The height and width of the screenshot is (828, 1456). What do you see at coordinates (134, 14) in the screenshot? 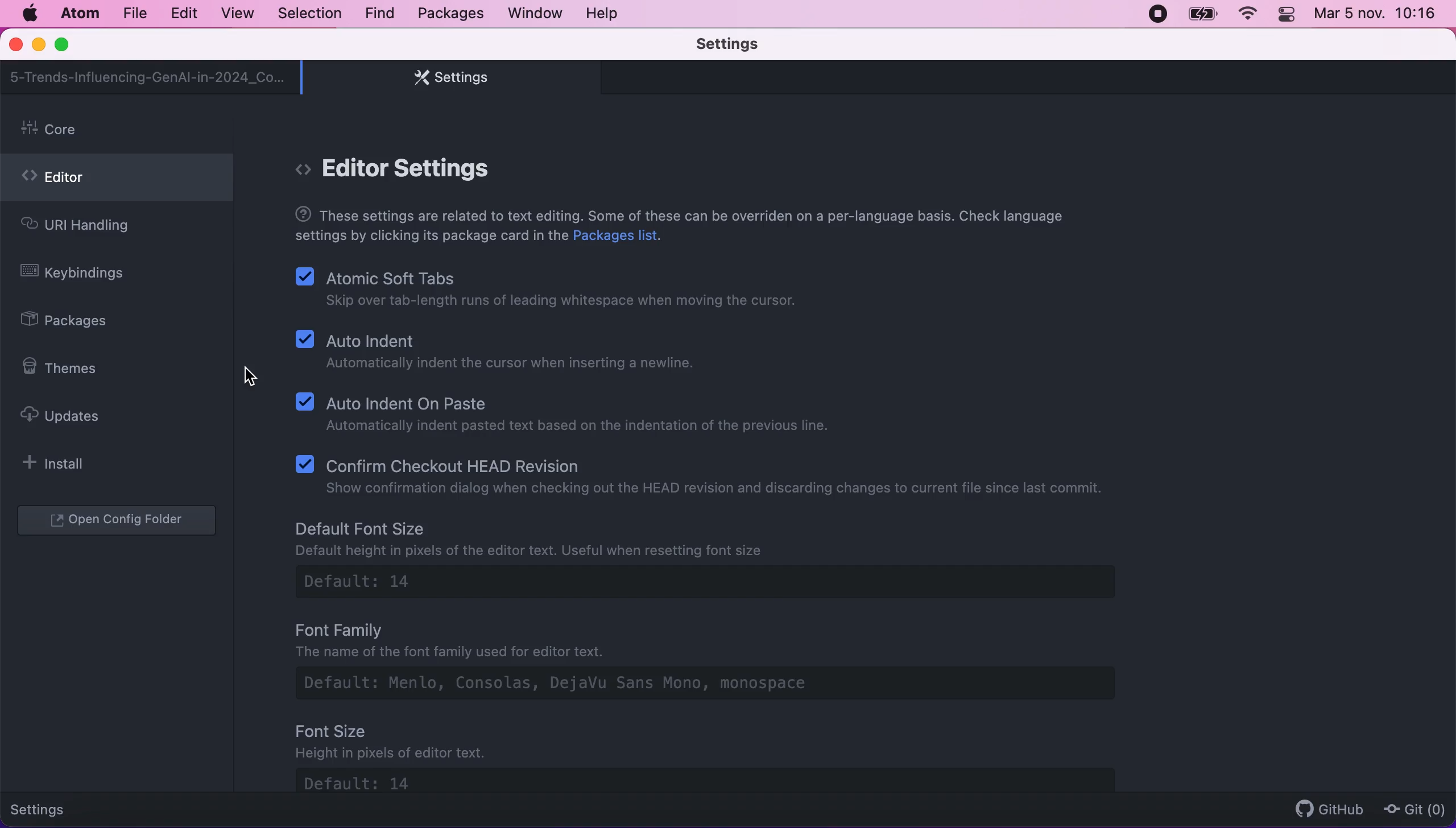
I see `file` at bounding box center [134, 14].